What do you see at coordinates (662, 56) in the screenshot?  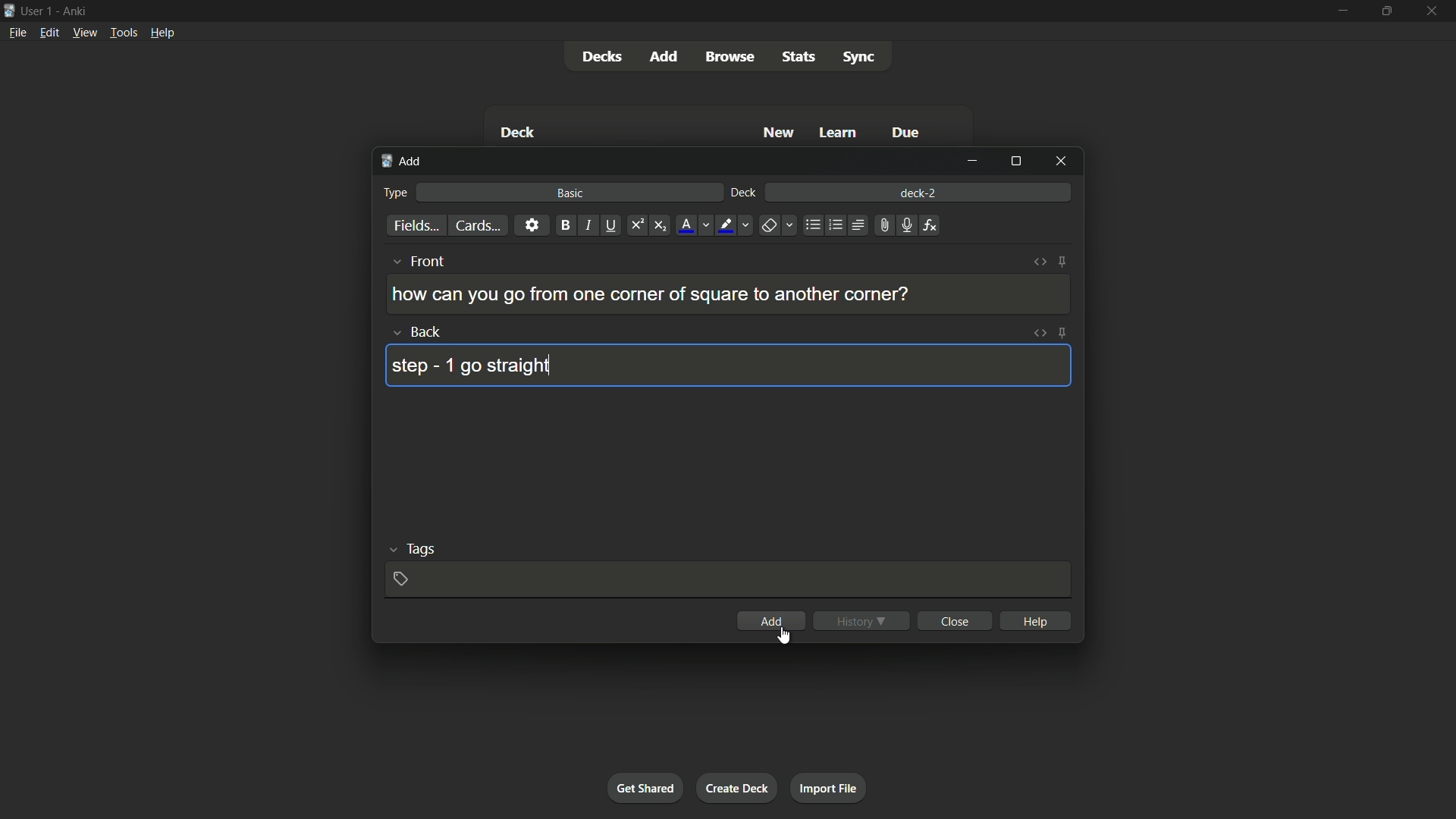 I see `add` at bounding box center [662, 56].